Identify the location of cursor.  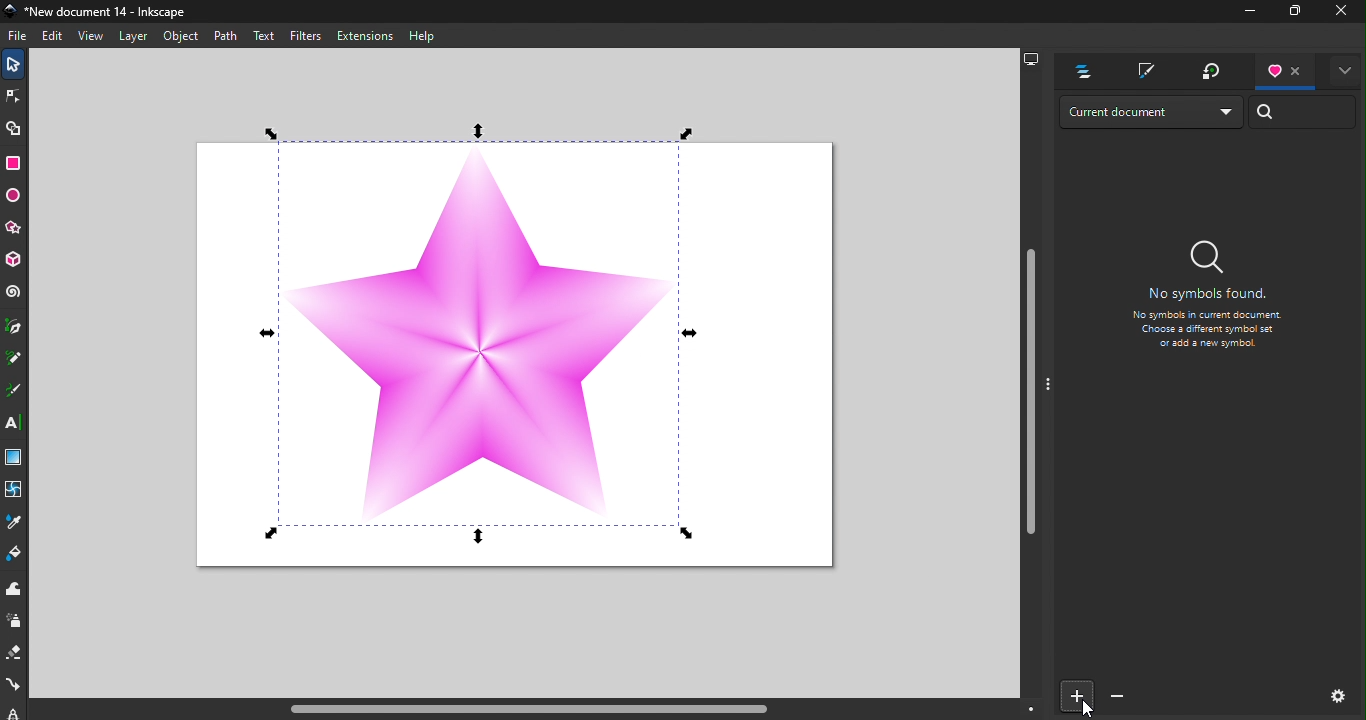
(1083, 708).